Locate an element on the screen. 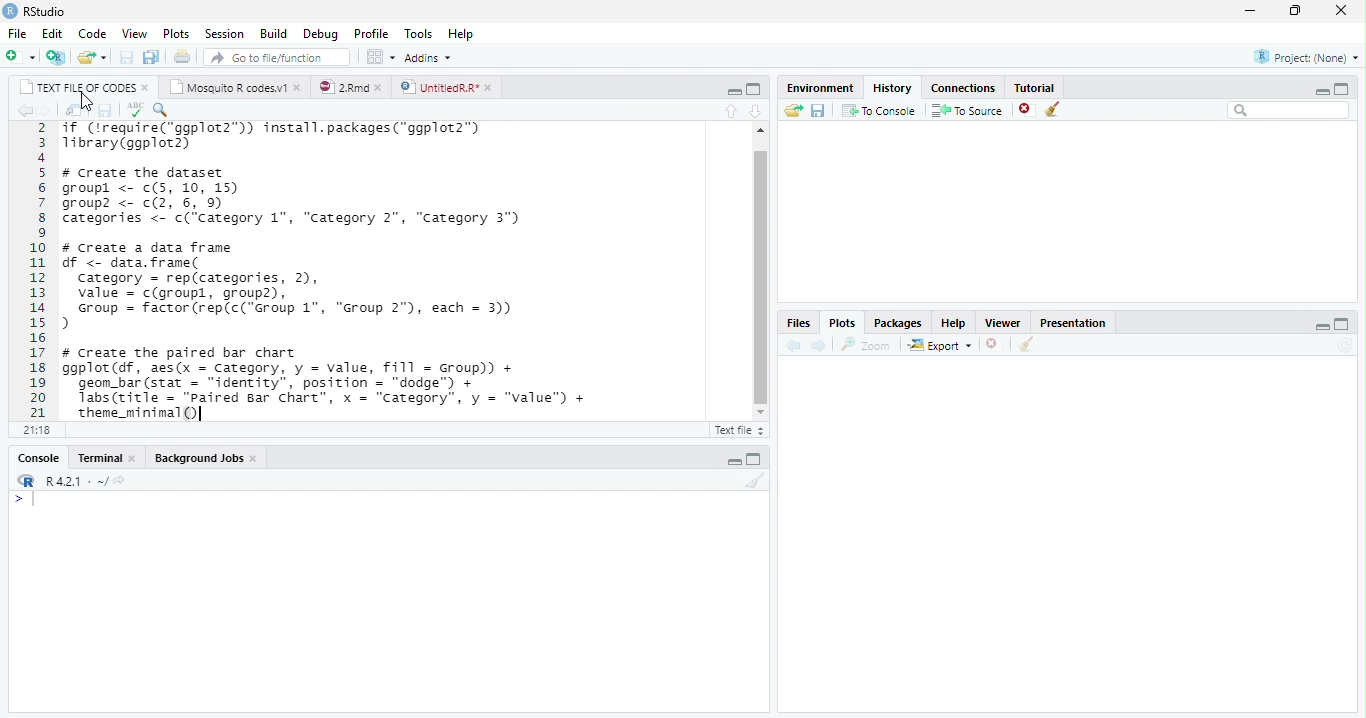  close is located at coordinates (298, 88).